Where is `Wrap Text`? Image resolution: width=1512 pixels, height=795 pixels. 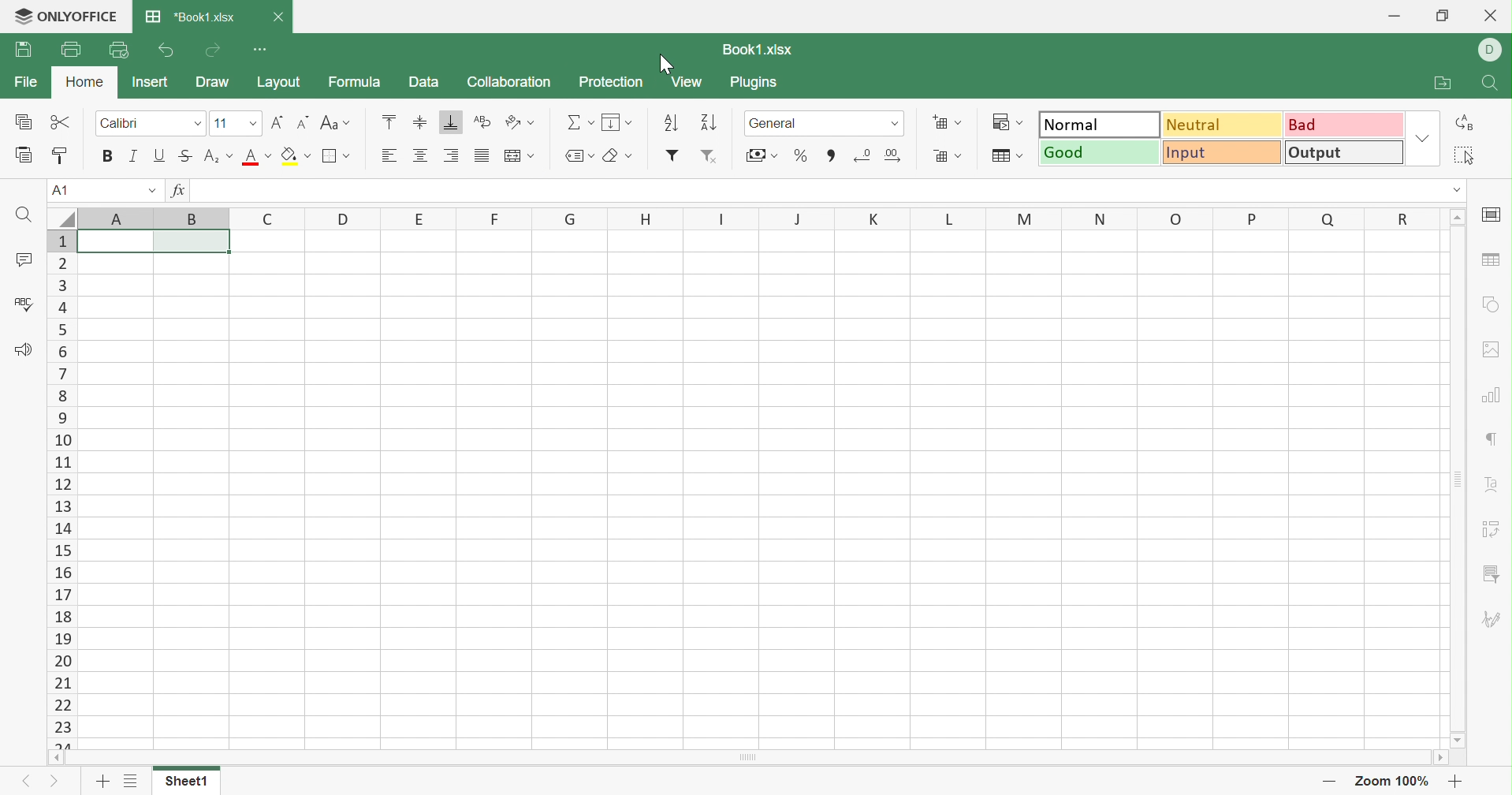
Wrap Text is located at coordinates (483, 122).